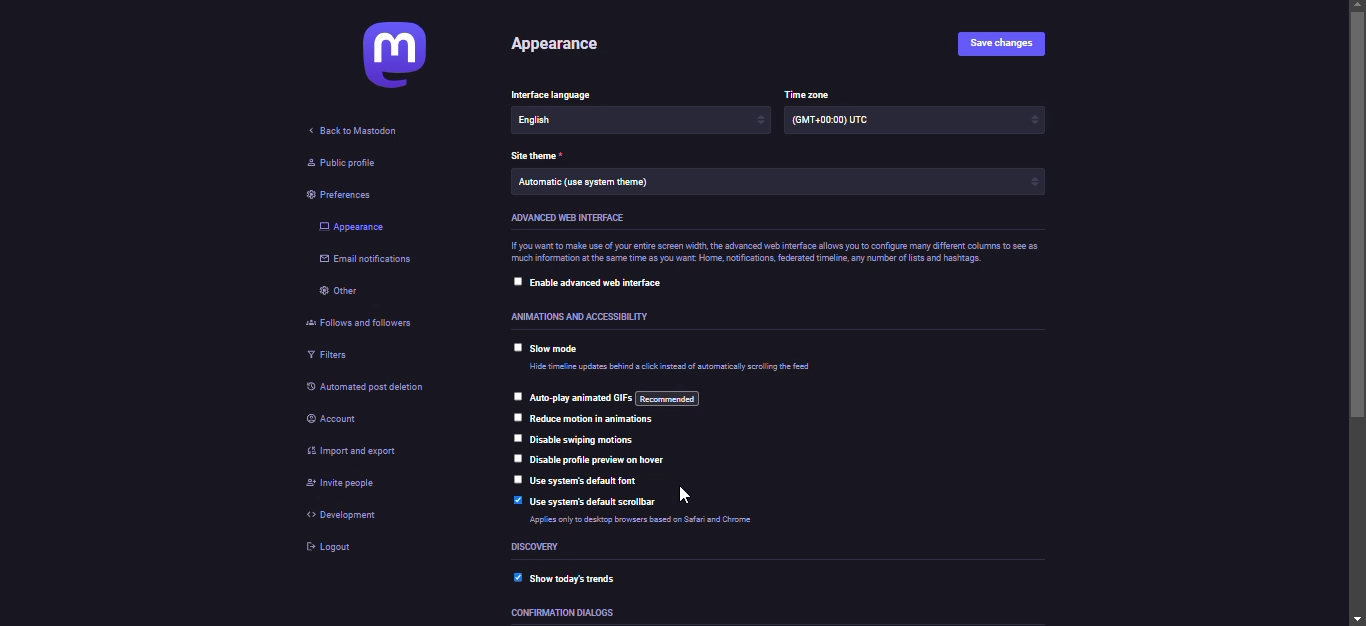 This screenshot has height=626, width=1366. I want to click on use system's default font, so click(587, 482).